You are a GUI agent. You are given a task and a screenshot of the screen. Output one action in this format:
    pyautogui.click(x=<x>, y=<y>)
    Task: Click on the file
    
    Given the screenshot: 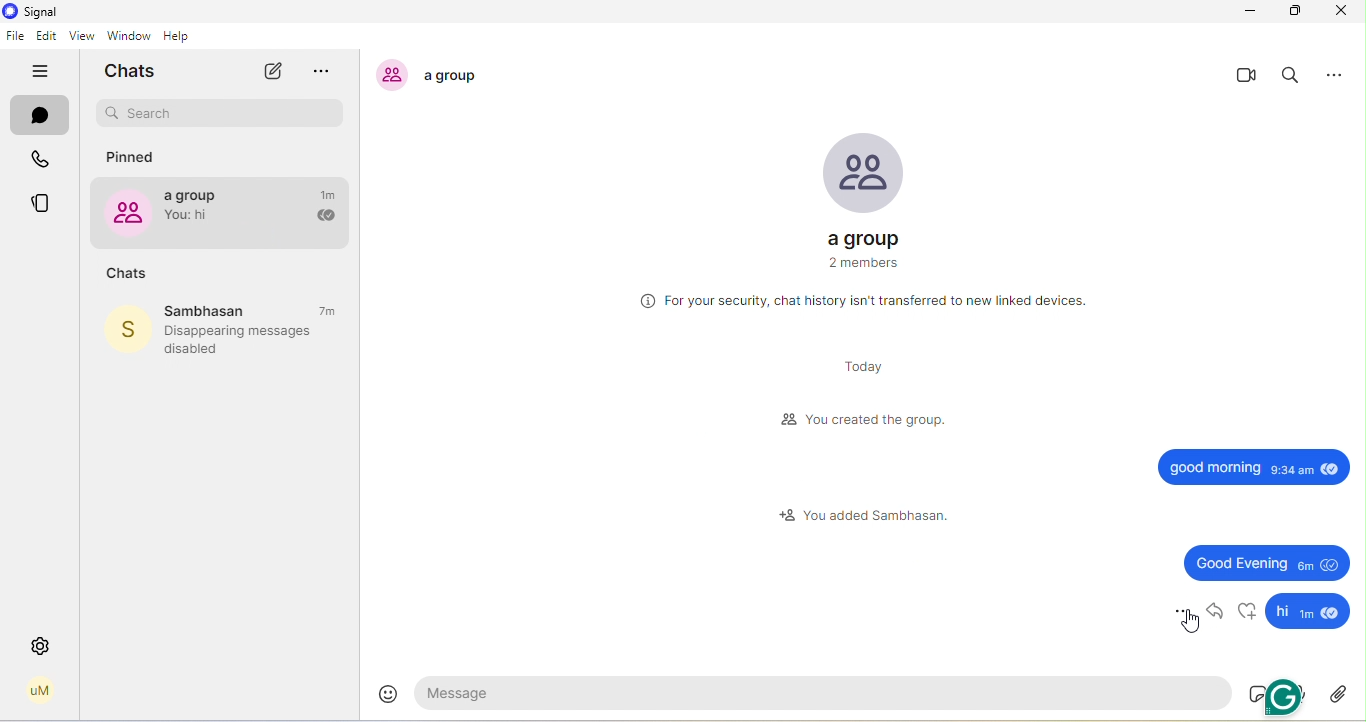 What is the action you would take?
    pyautogui.click(x=15, y=36)
    